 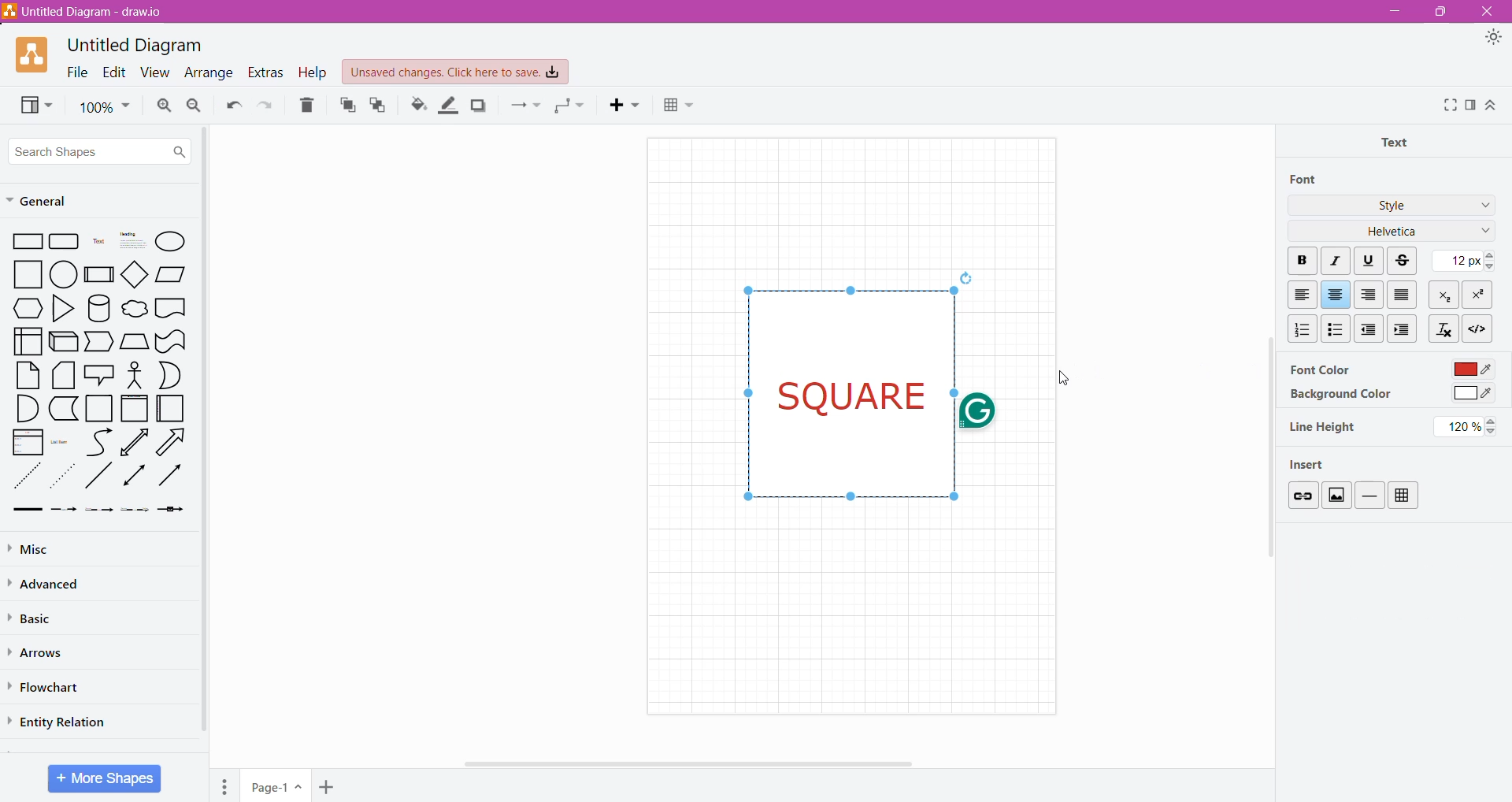 What do you see at coordinates (23, 510) in the screenshot?
I see `Thick Arrow` at bounding box center [23, 510].